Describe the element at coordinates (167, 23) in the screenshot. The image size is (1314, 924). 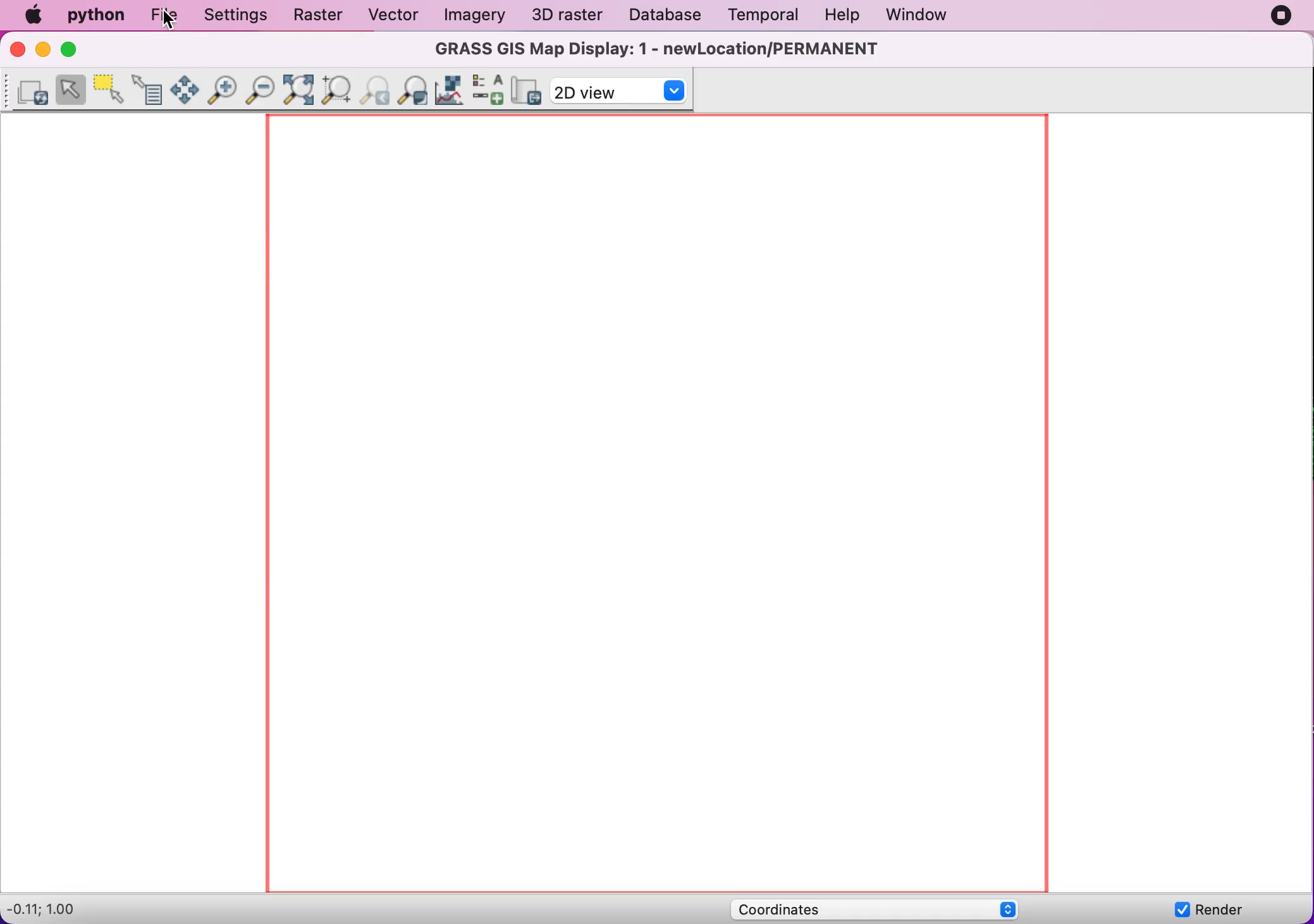
I see `cursor` at that location.